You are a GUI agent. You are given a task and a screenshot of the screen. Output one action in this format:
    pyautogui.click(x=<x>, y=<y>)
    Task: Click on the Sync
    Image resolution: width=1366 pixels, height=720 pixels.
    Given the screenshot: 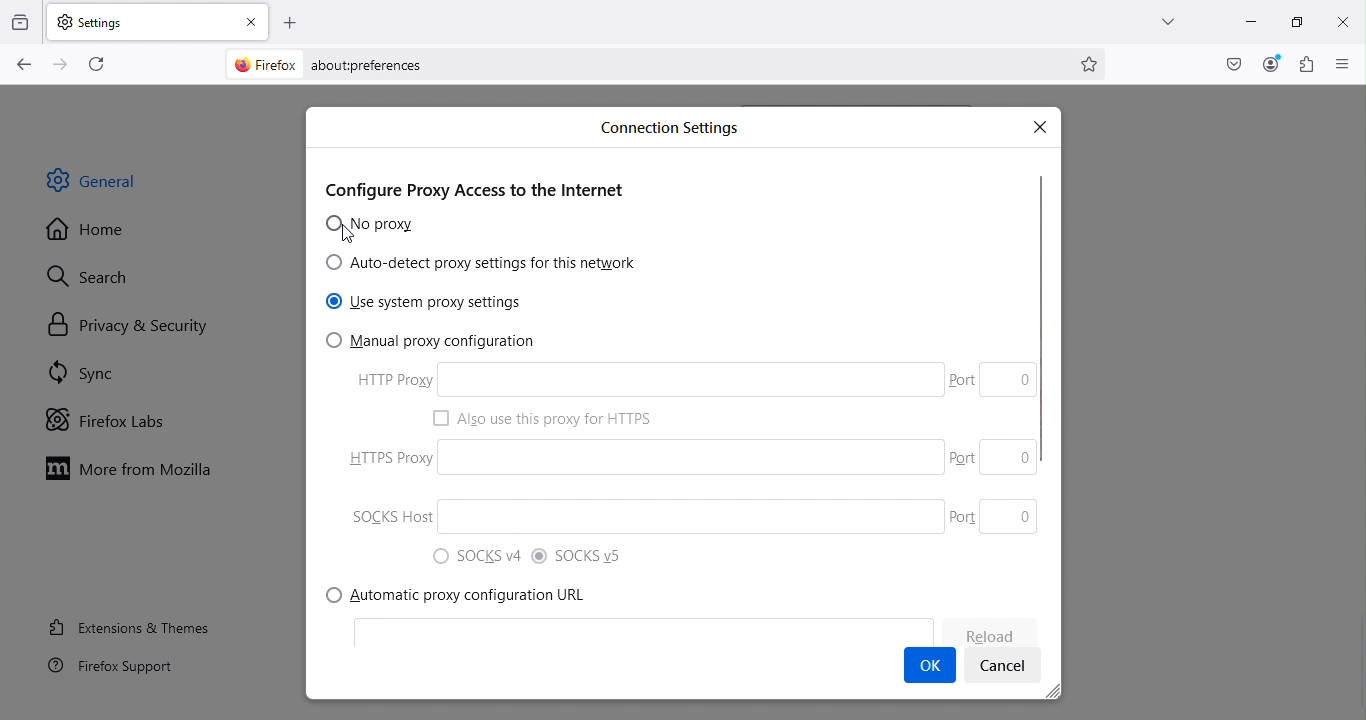 What is the action you would take?
    pyautogui.click(x=111, y=376)
    